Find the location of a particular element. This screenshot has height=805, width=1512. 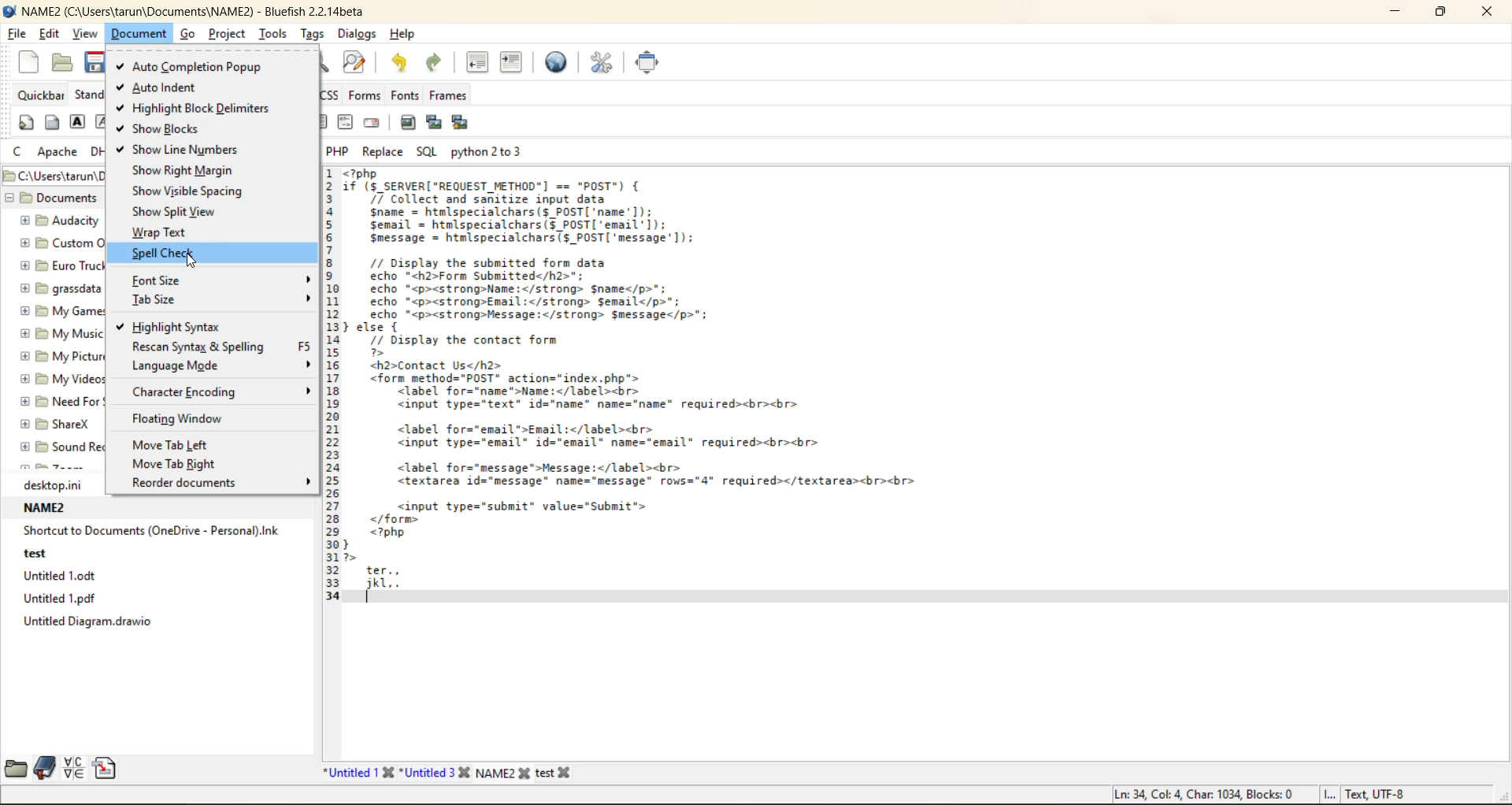

full screen is located at coordinates (646, 61).